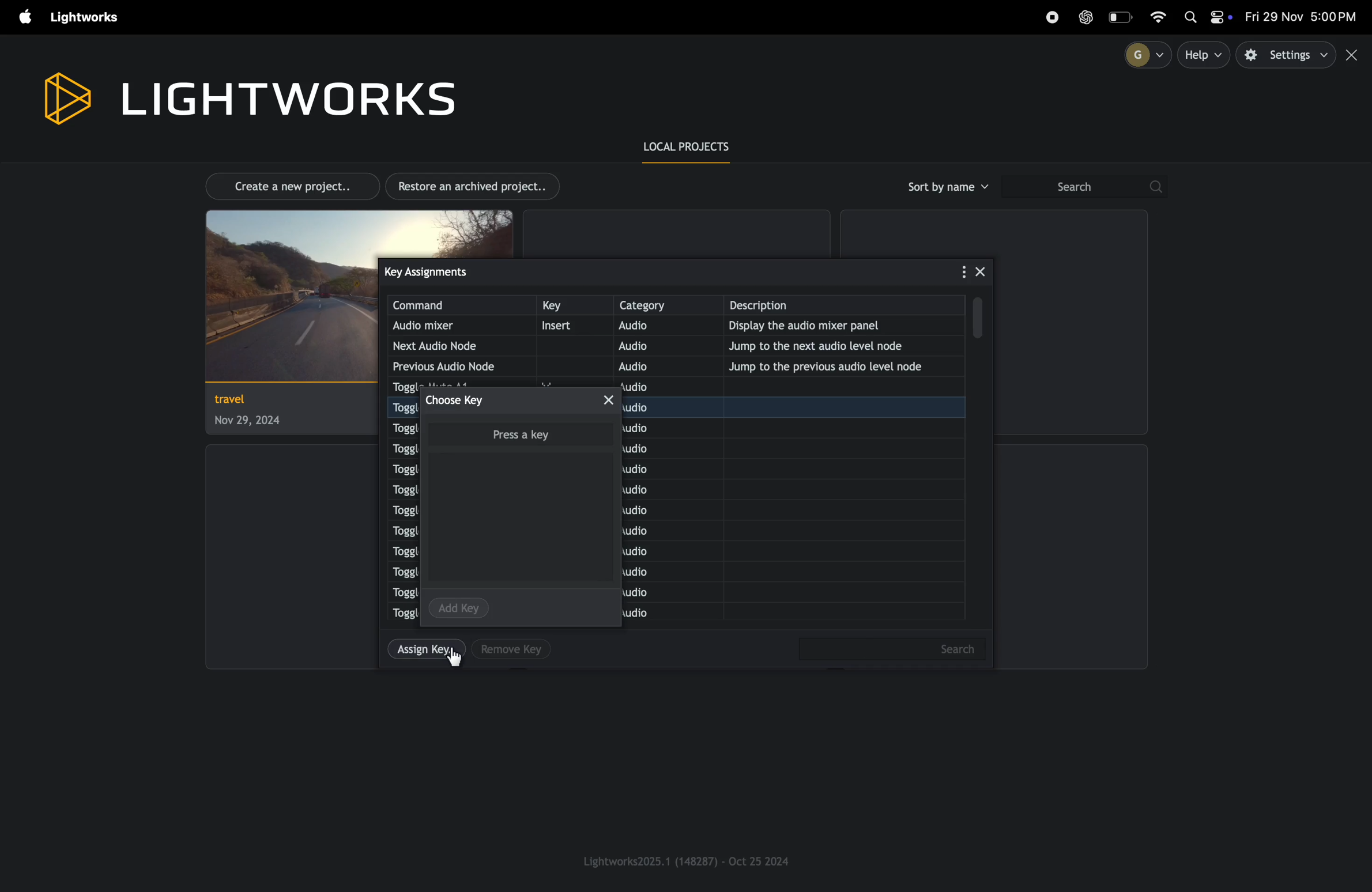 This screenshot has height=892, width=1372. Describe the element at coordinates (568, 326) in the screenshot. I see `insert` at that location.